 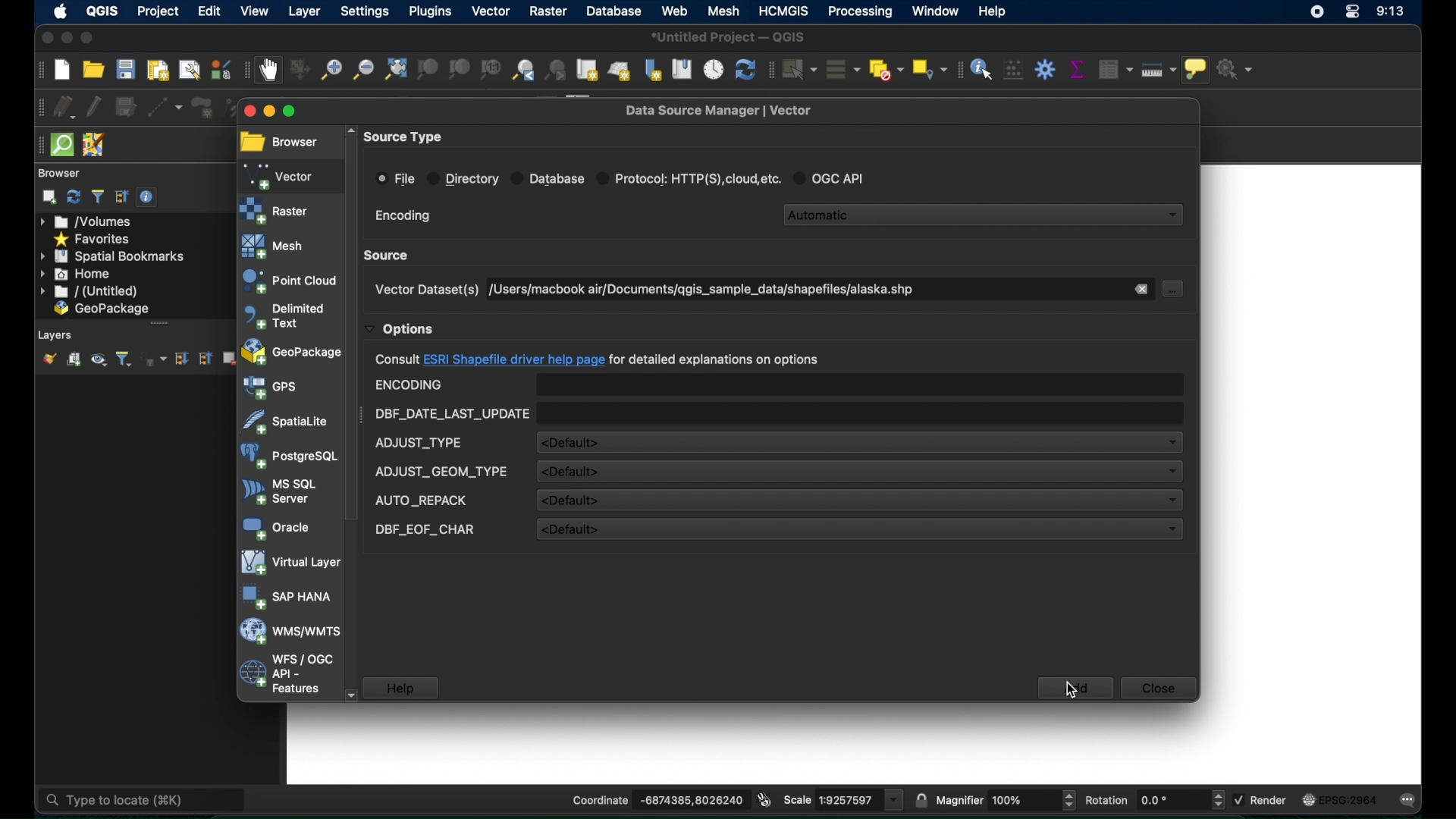 I want to click on geopackage, so click(x=102, y=309).